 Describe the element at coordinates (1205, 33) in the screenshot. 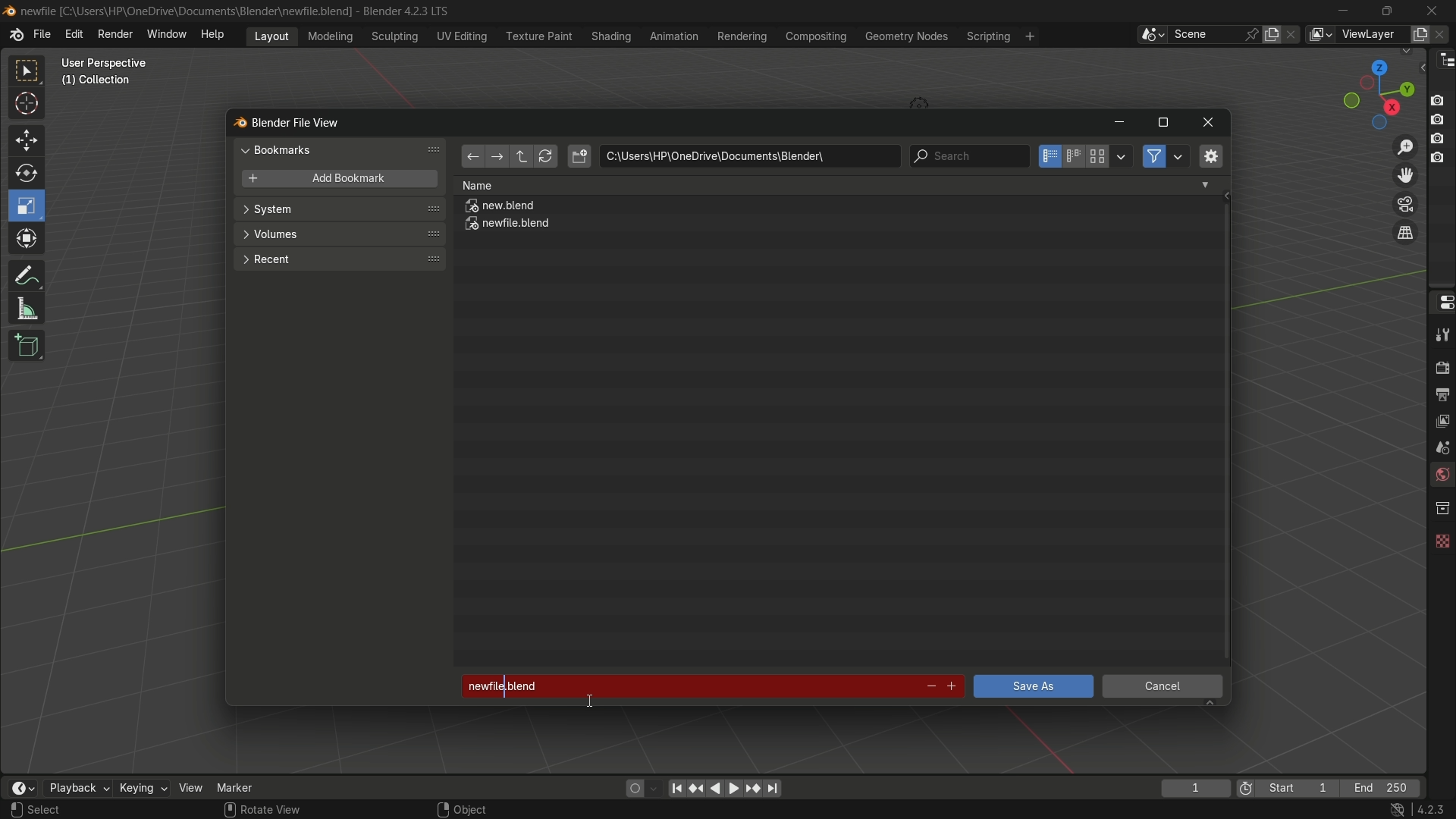

I see `scene name` at that location.